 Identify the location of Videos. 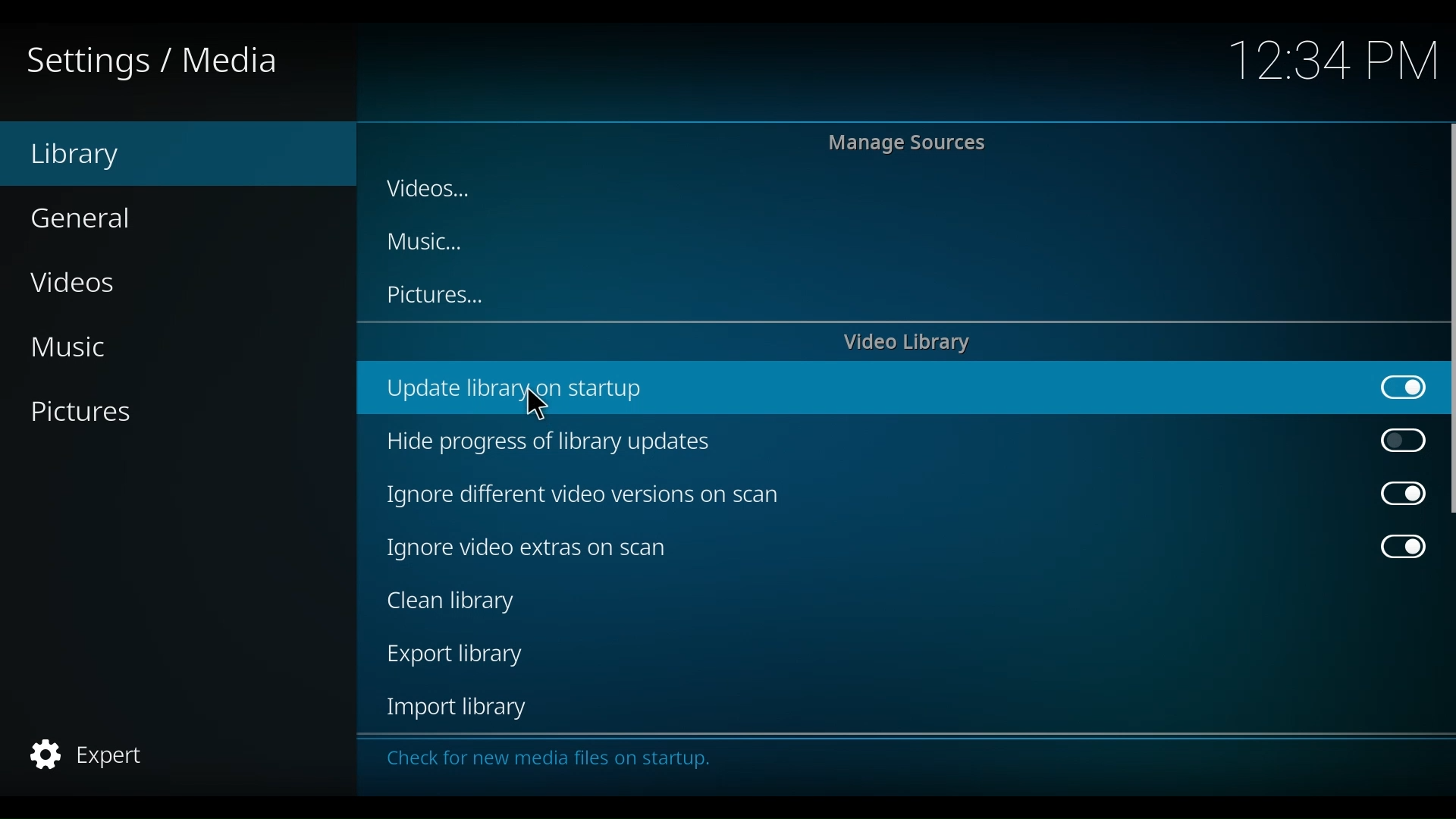
(77, 284).